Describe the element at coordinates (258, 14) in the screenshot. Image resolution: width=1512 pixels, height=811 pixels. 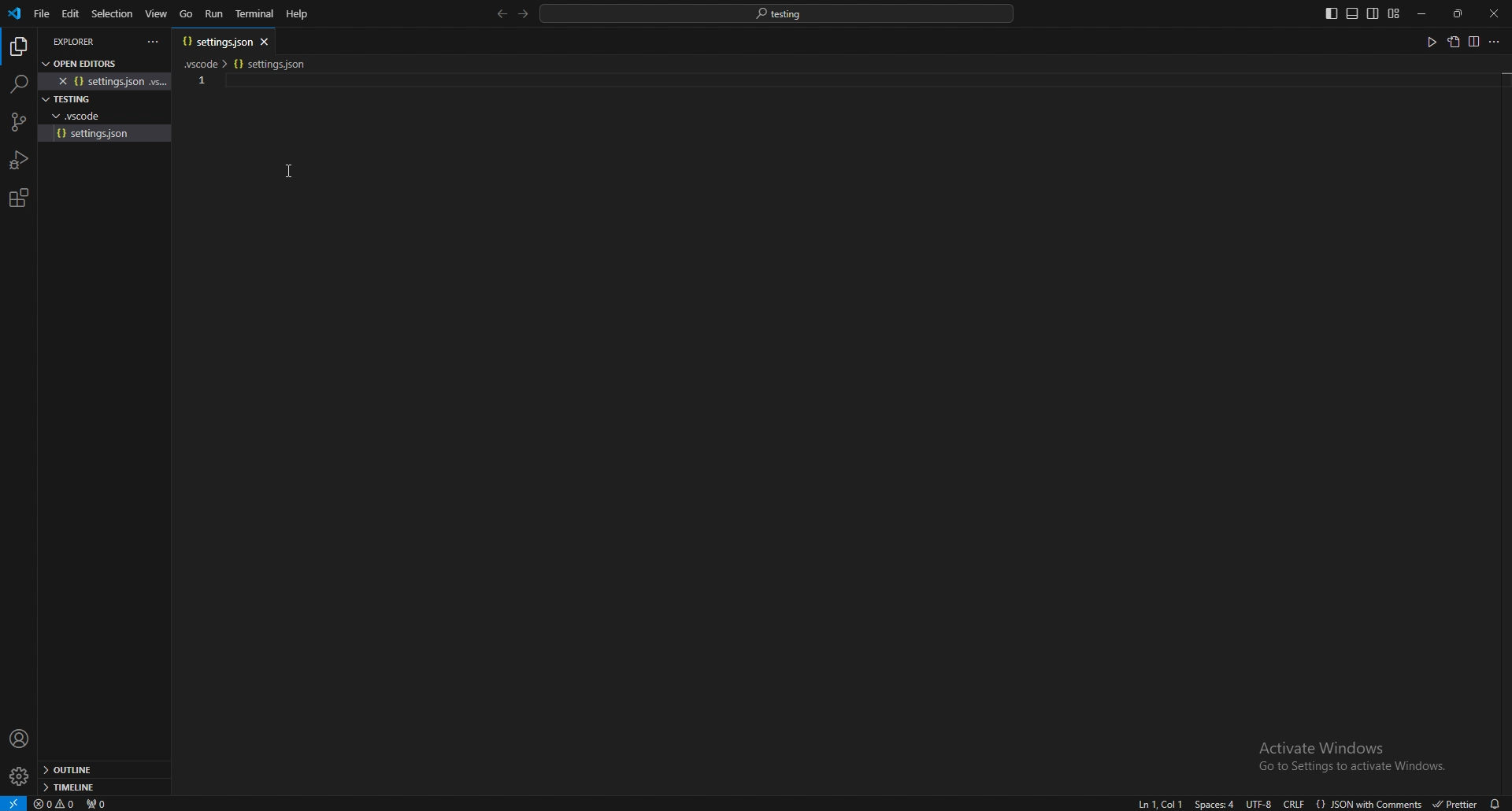
I see `terminal` at that location.